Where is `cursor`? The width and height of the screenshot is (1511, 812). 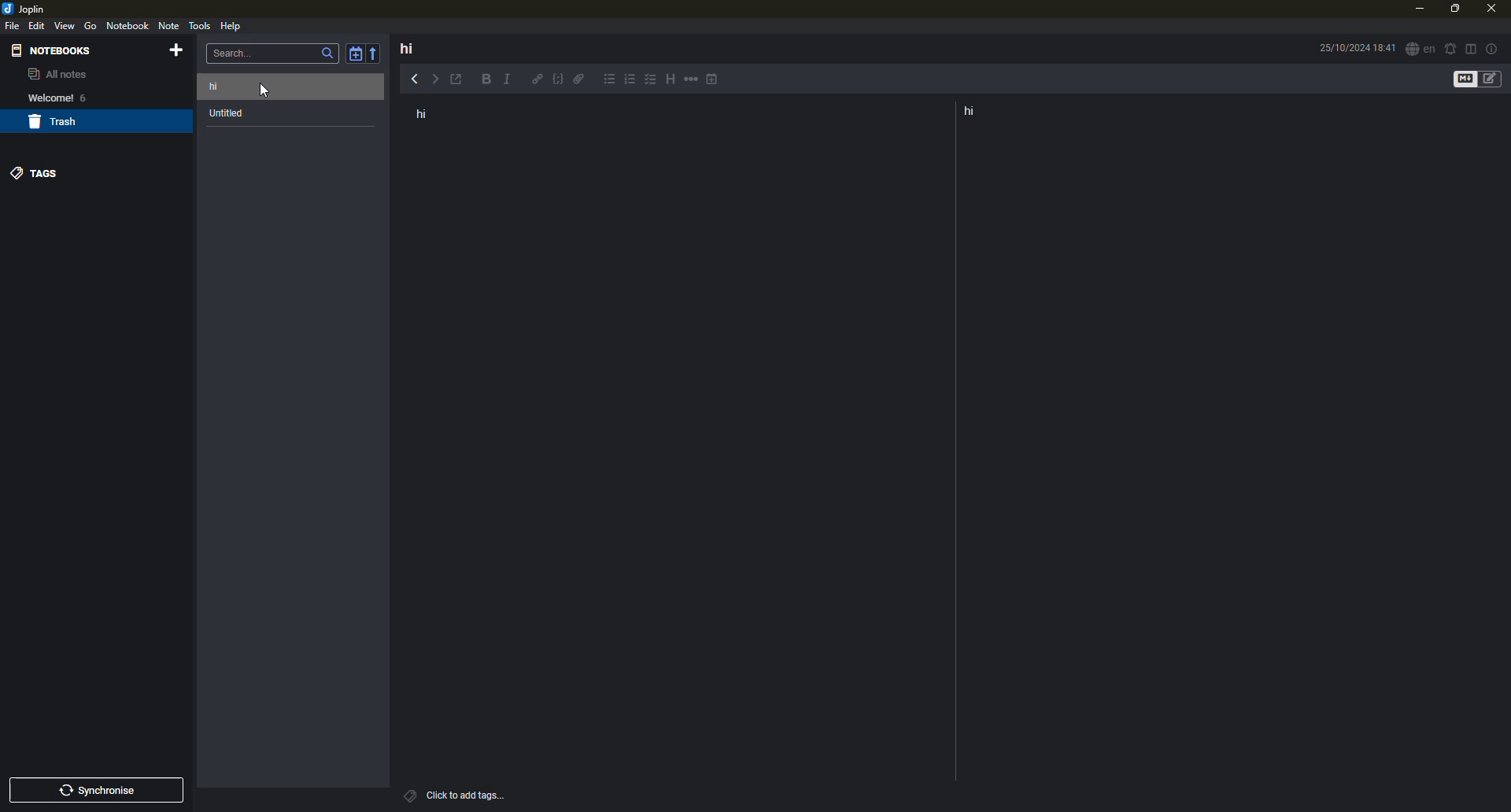 cursor is located at coordinates (264, 90).